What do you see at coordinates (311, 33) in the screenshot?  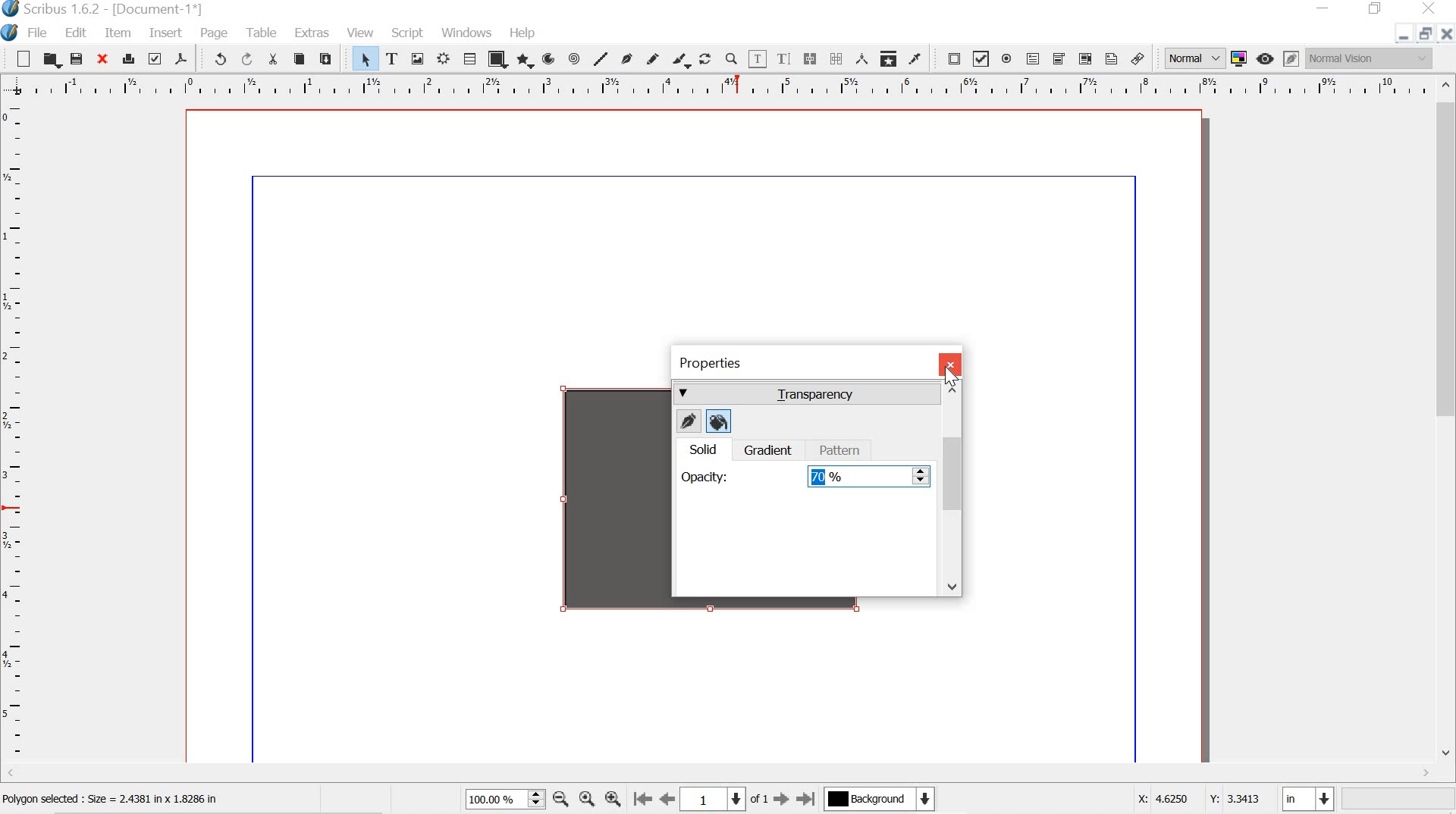 I see `extras` at bounding box center [311, 33].